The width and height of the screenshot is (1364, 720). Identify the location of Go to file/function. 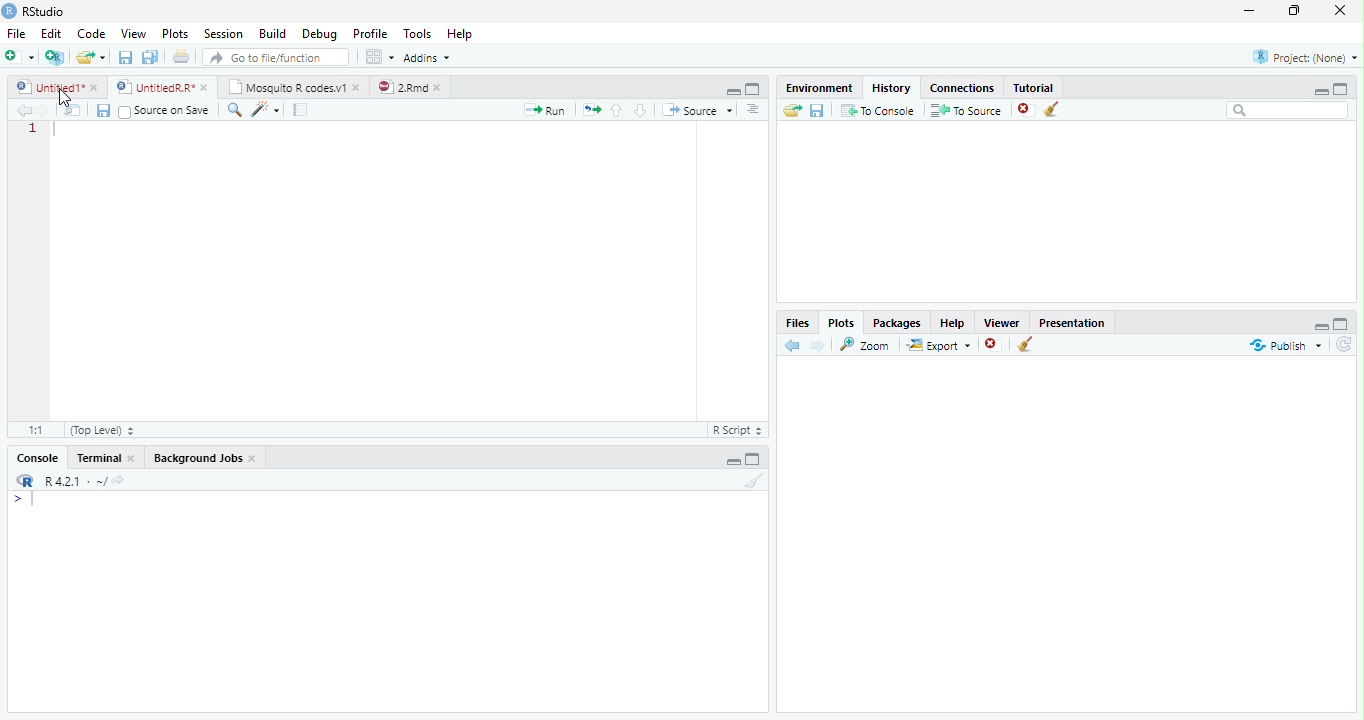
(274, 57).